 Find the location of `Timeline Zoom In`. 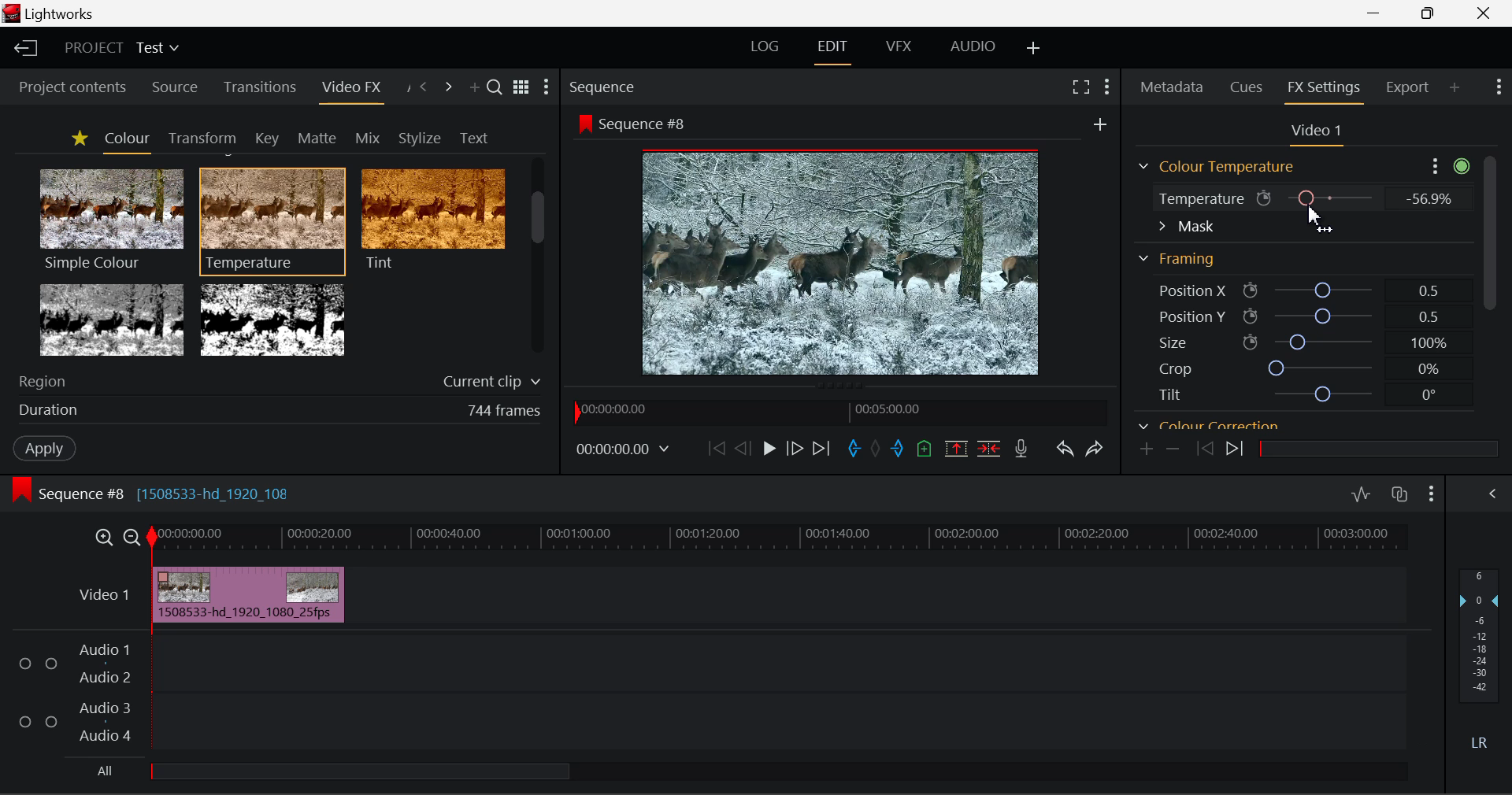

Timeline Zoom In is located at coordinates (106, 536).